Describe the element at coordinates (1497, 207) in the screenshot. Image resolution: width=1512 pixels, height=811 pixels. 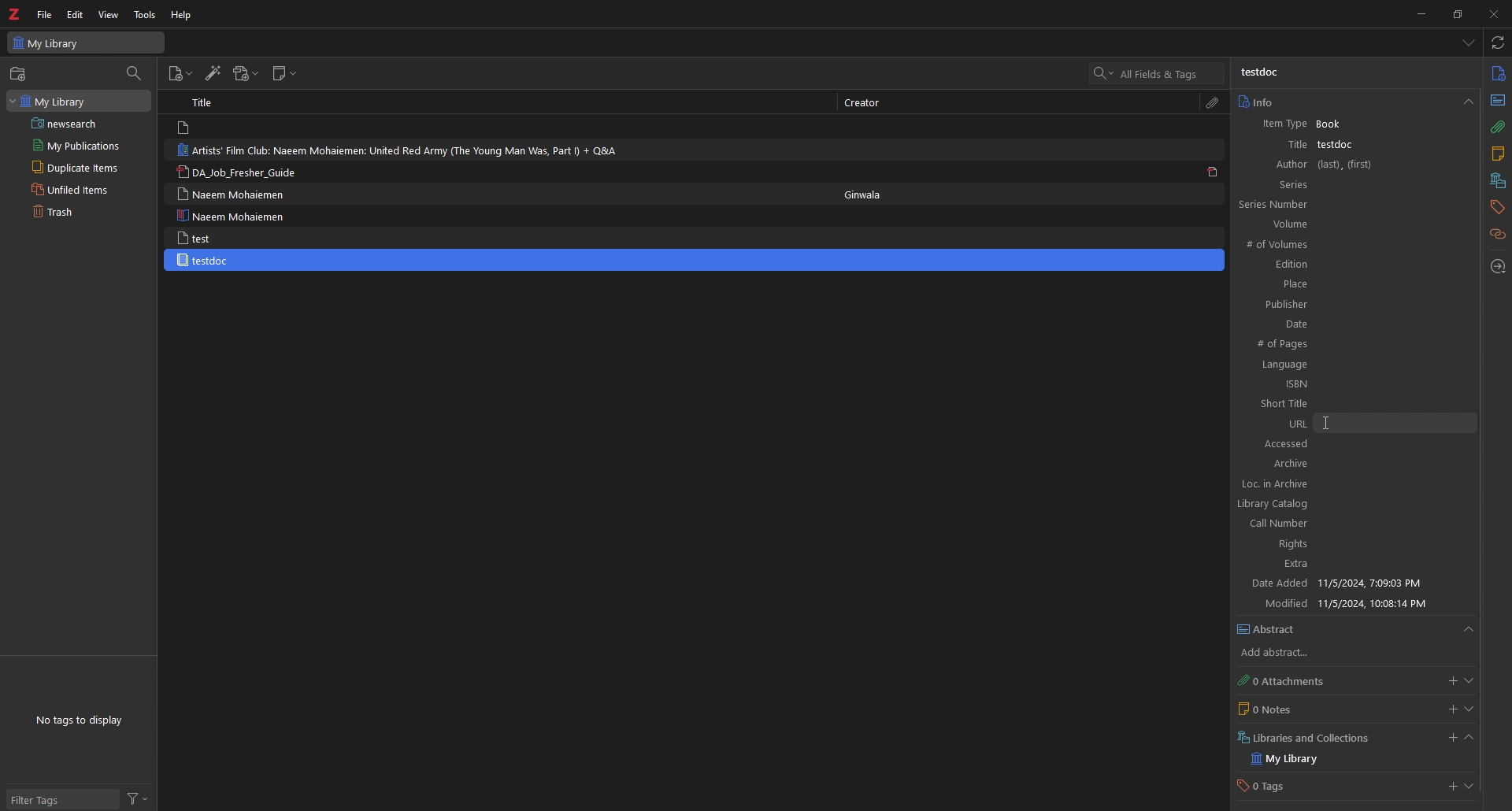
I see `tags` at that location.